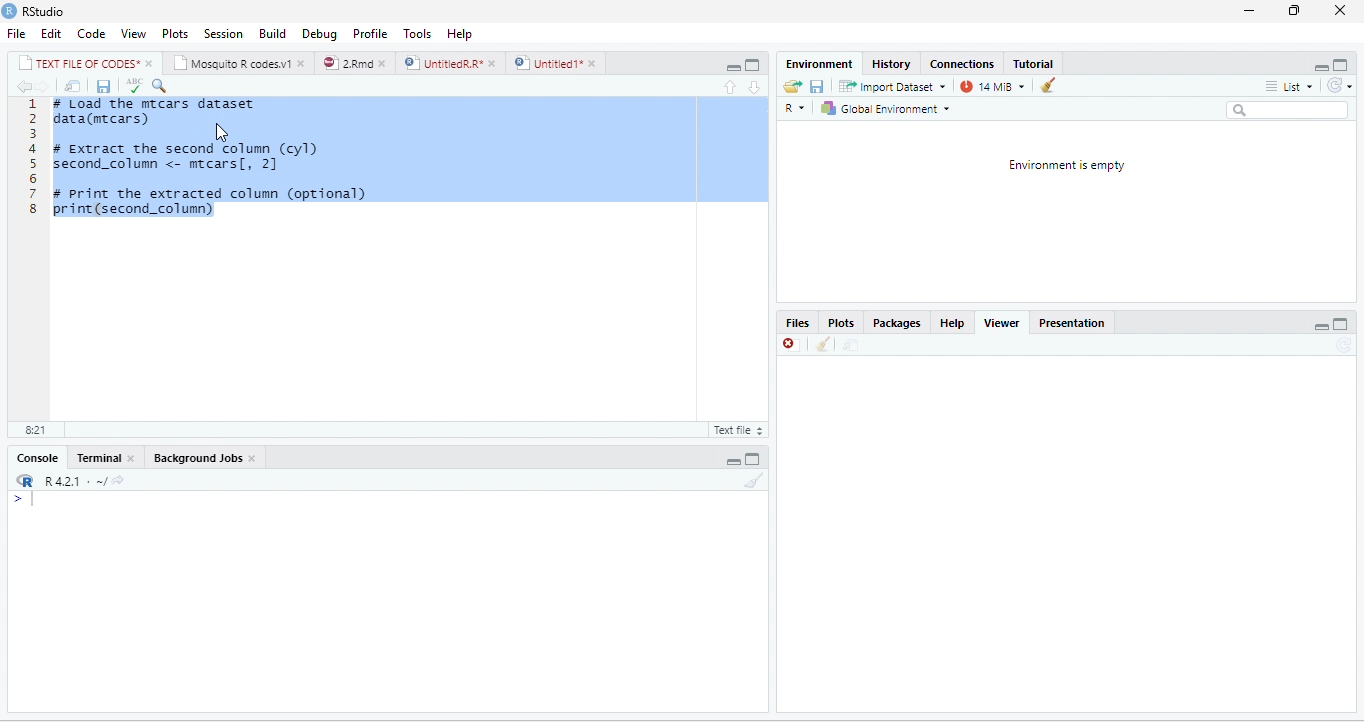 The height and width of the screenshot is (722, 1364). What do you see at coordinates (133, 458) in the screenshot?
I see `close` at bounding box center [133, 458].